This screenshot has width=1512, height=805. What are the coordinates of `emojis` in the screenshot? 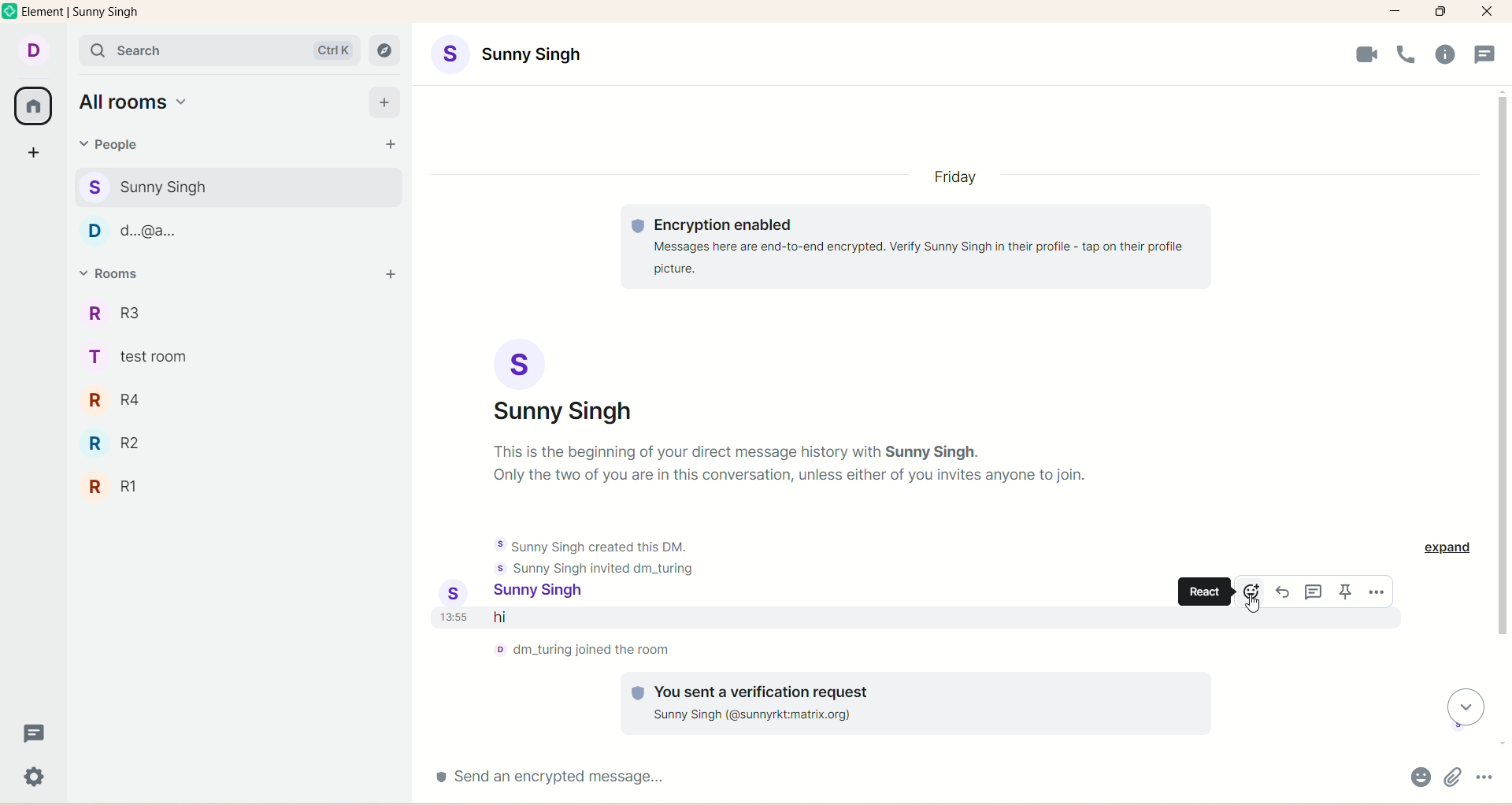 It's located at (1421, 777).